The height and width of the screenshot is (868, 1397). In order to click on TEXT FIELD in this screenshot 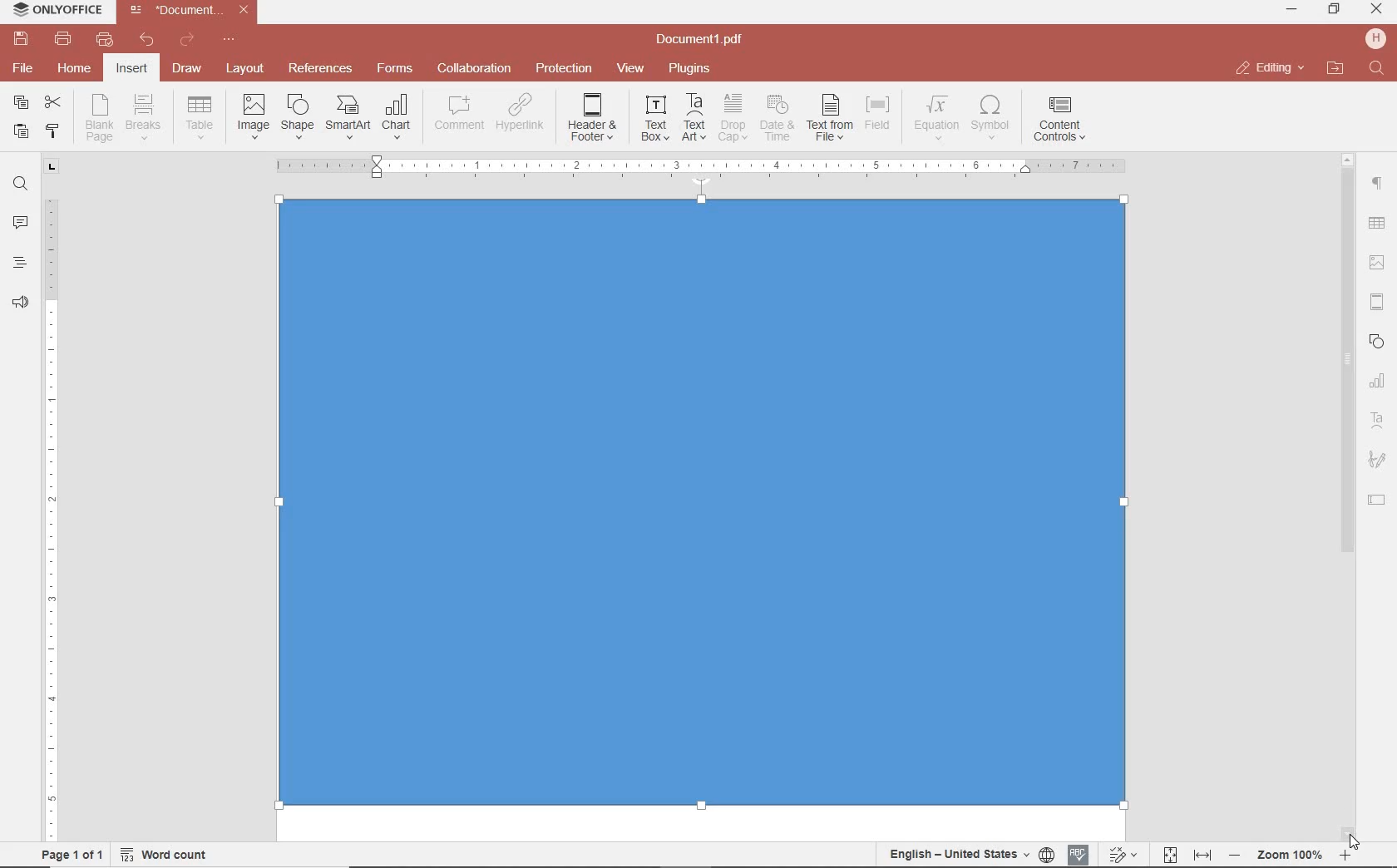, I will do `click(1377, 499)`.